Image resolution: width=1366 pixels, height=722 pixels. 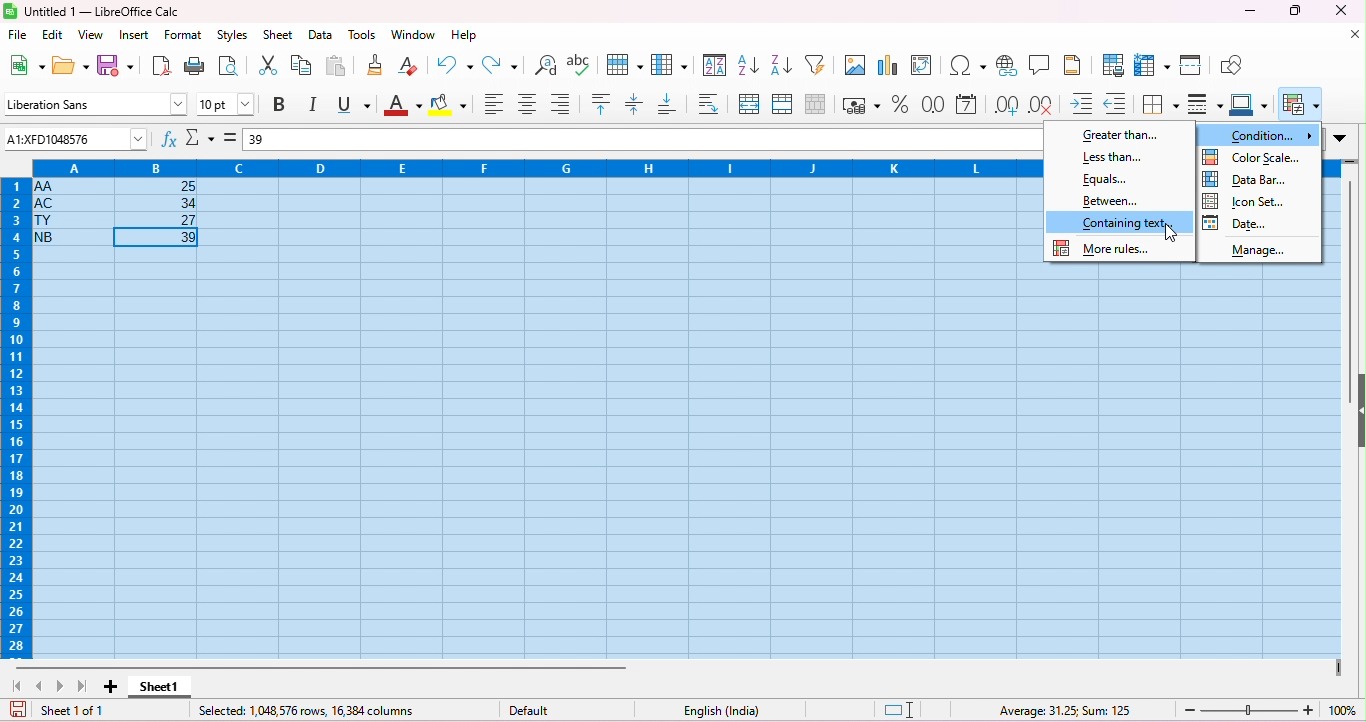 What do you see at coordinates (308, 710) in the screenshot?
I see `selected row and columns` at bounding box center [308, 710].